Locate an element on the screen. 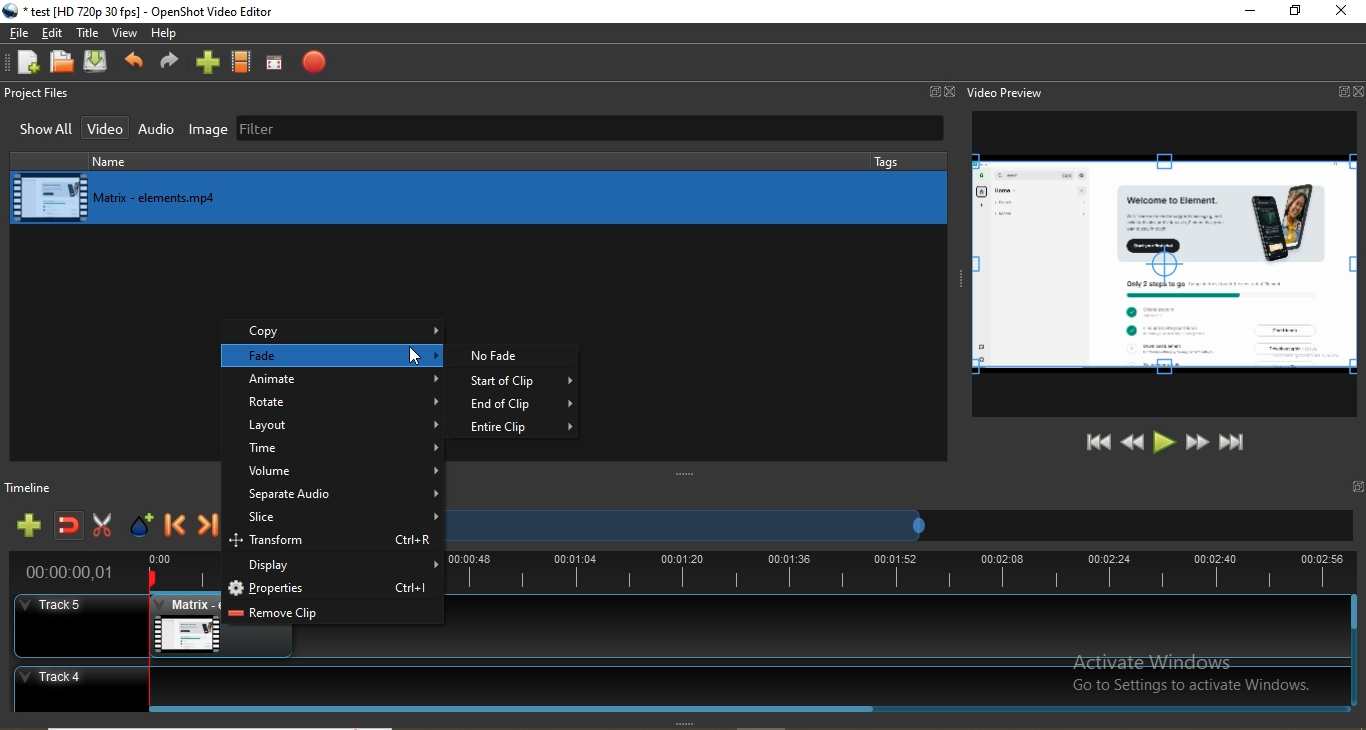  no fade is located at coordinates (517, 355).